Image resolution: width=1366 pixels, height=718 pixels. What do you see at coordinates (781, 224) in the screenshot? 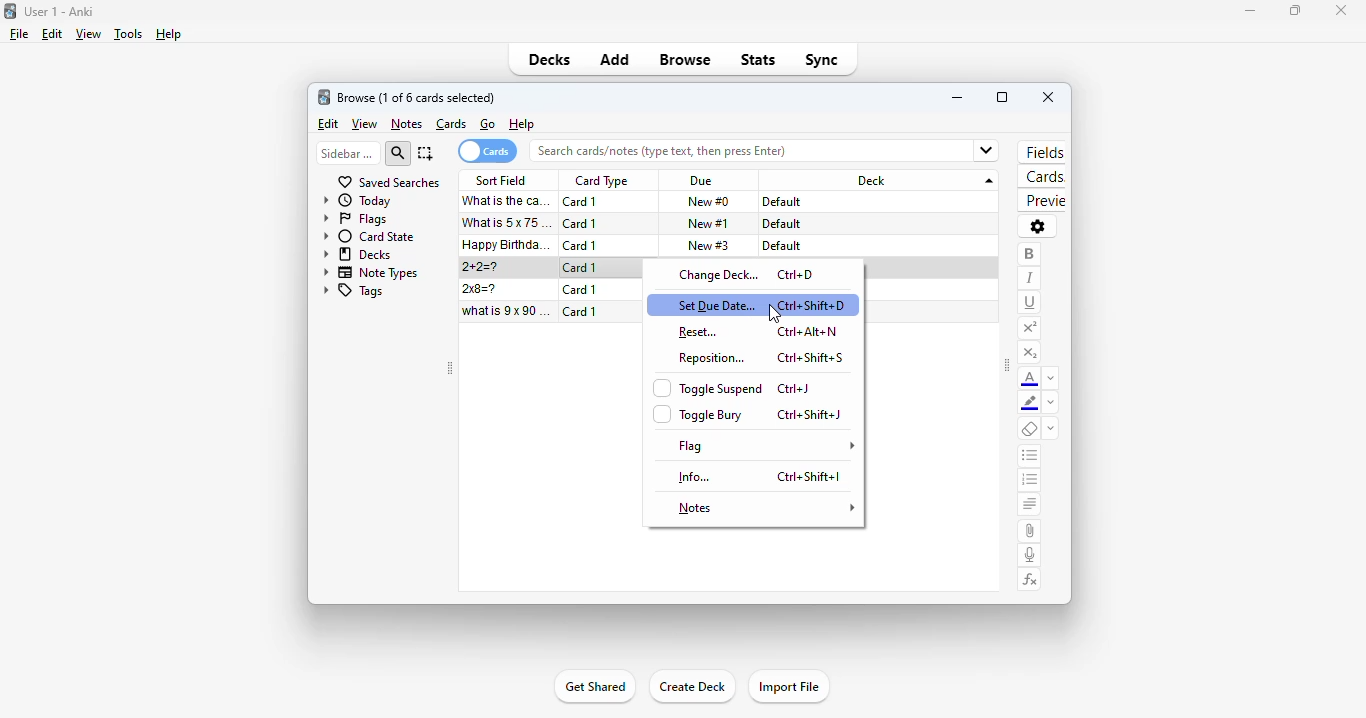
I see `default` at bounding box center [781, 224].